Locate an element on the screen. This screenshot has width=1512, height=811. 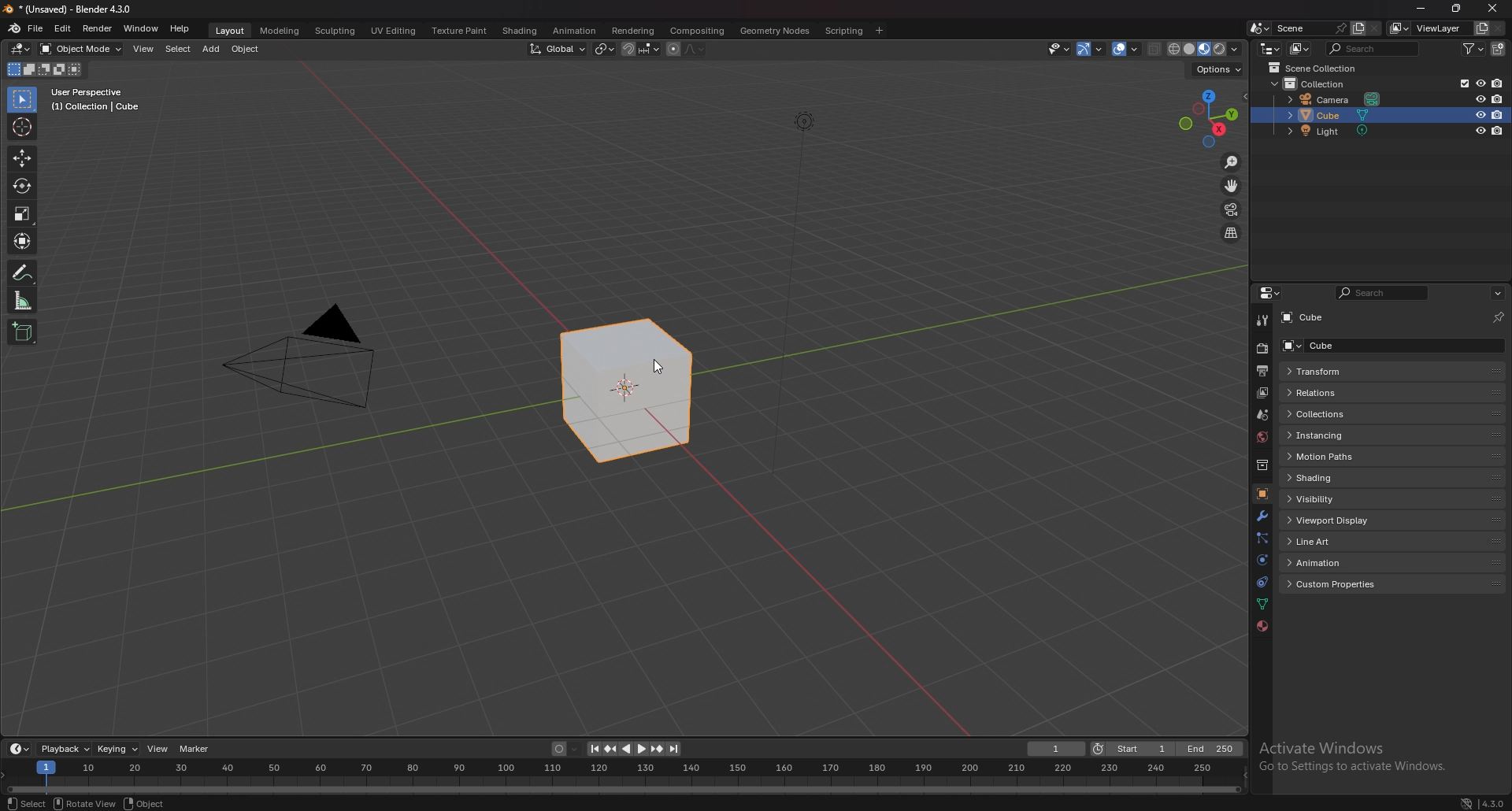
annotate is located at coordinates (21, 272).